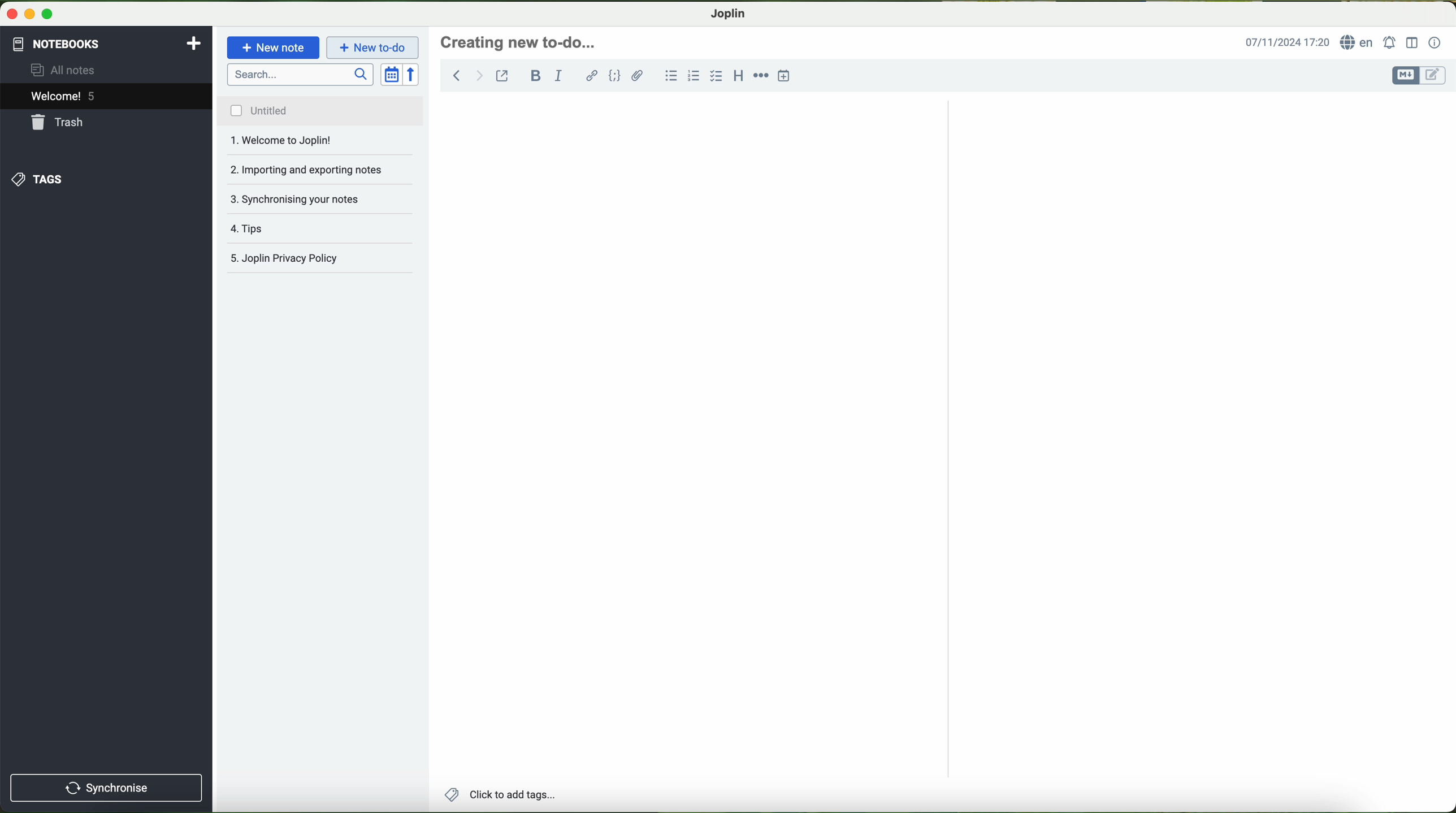 This screenshot has width=1456, height=813. Describe the element at coordinates (785, 75) in the screenshot. I see `insert time` at that location.